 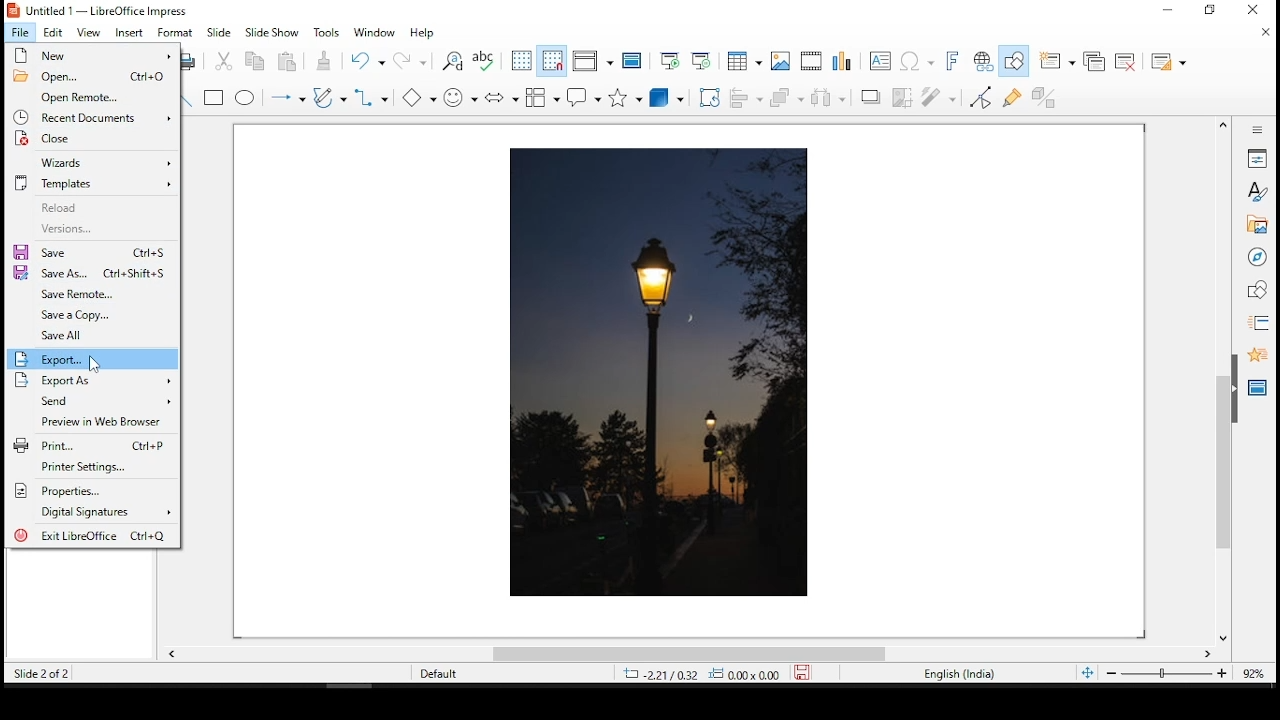 I want to click on recent downloads, so click(x=93, y=117).